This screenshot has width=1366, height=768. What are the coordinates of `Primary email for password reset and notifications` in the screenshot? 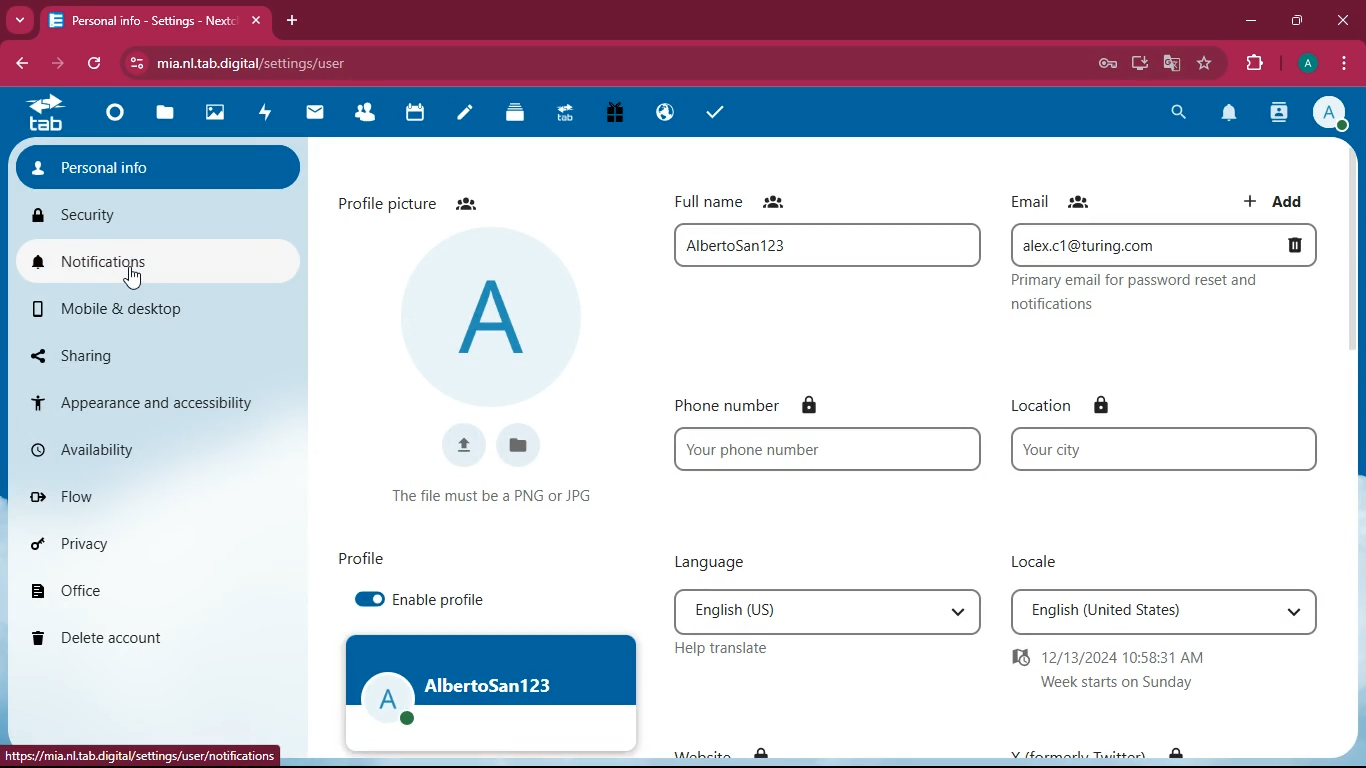 It's located at (1145, 294).